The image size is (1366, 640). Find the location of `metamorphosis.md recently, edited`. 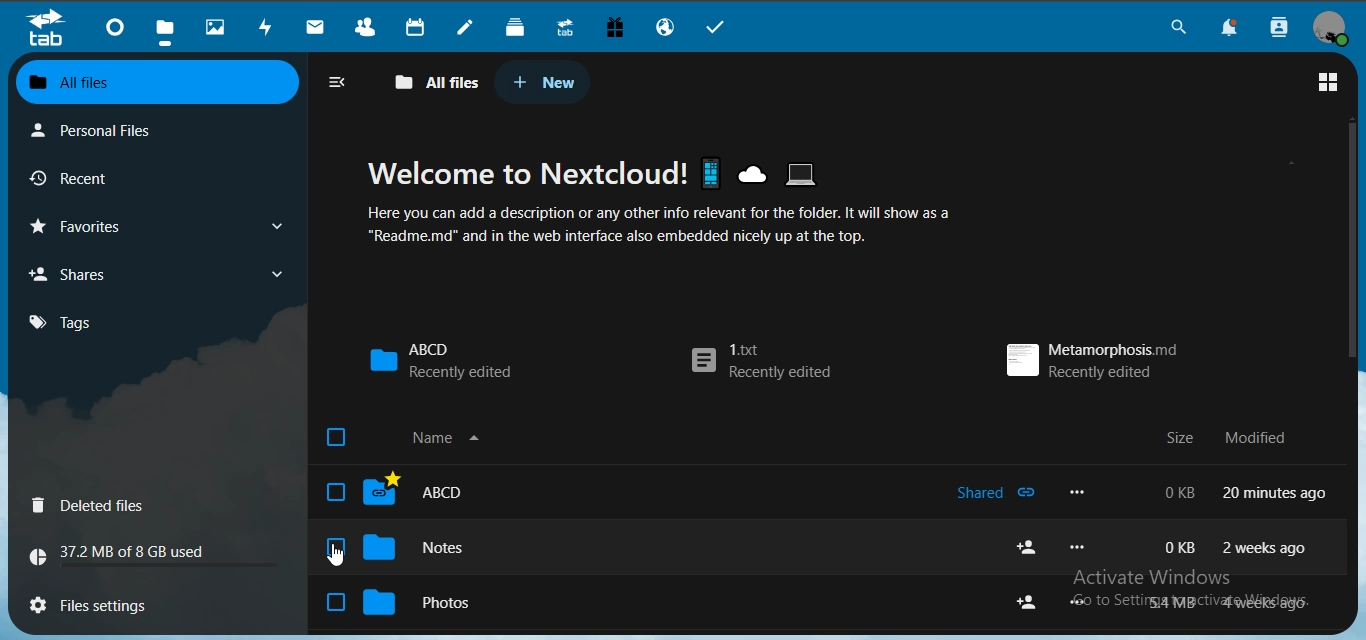

metamorphosis.md recently, edited is located at coordinates (1093, 357).